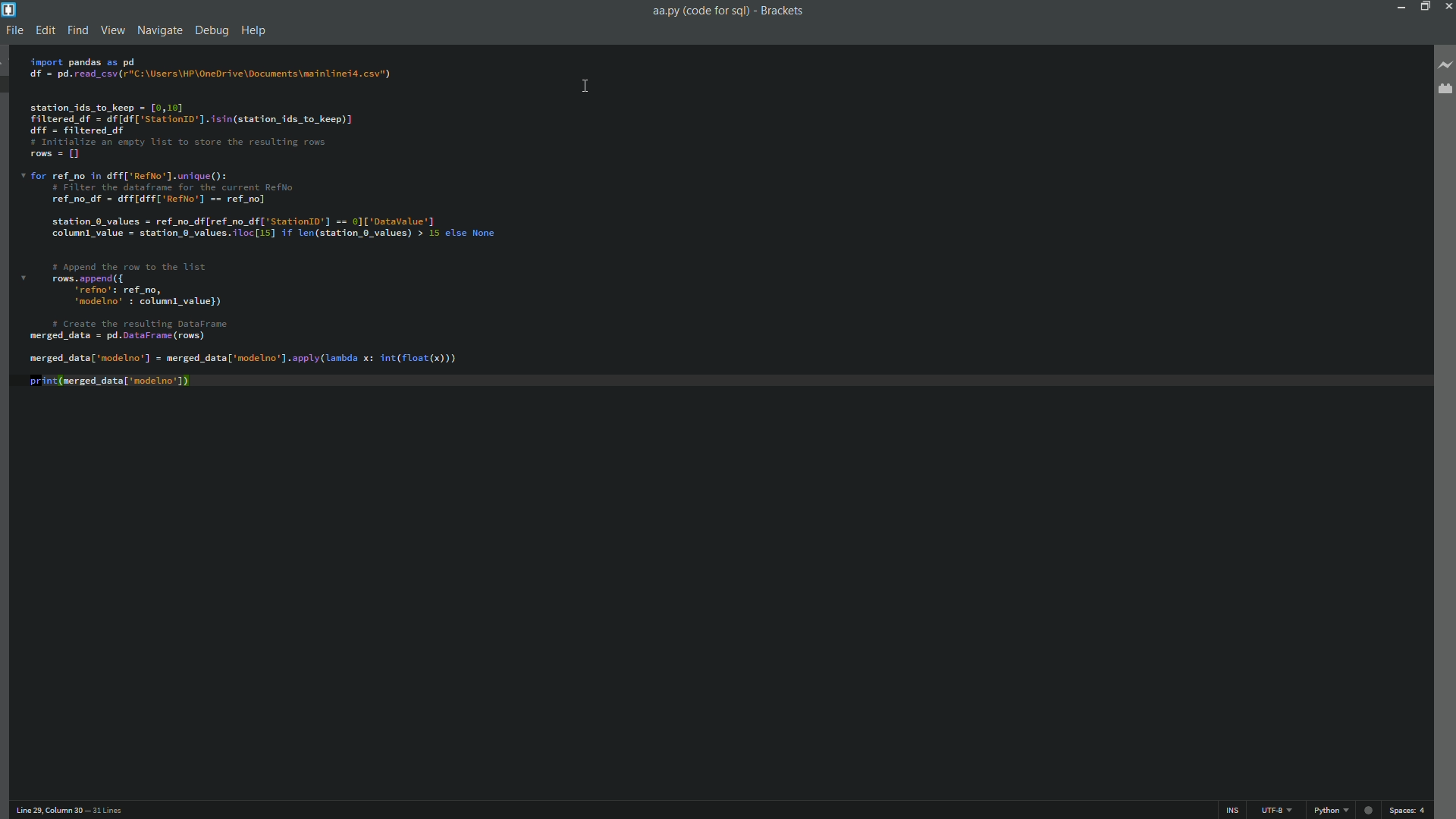  I want to click on number of lines text field, so click(105, 810).